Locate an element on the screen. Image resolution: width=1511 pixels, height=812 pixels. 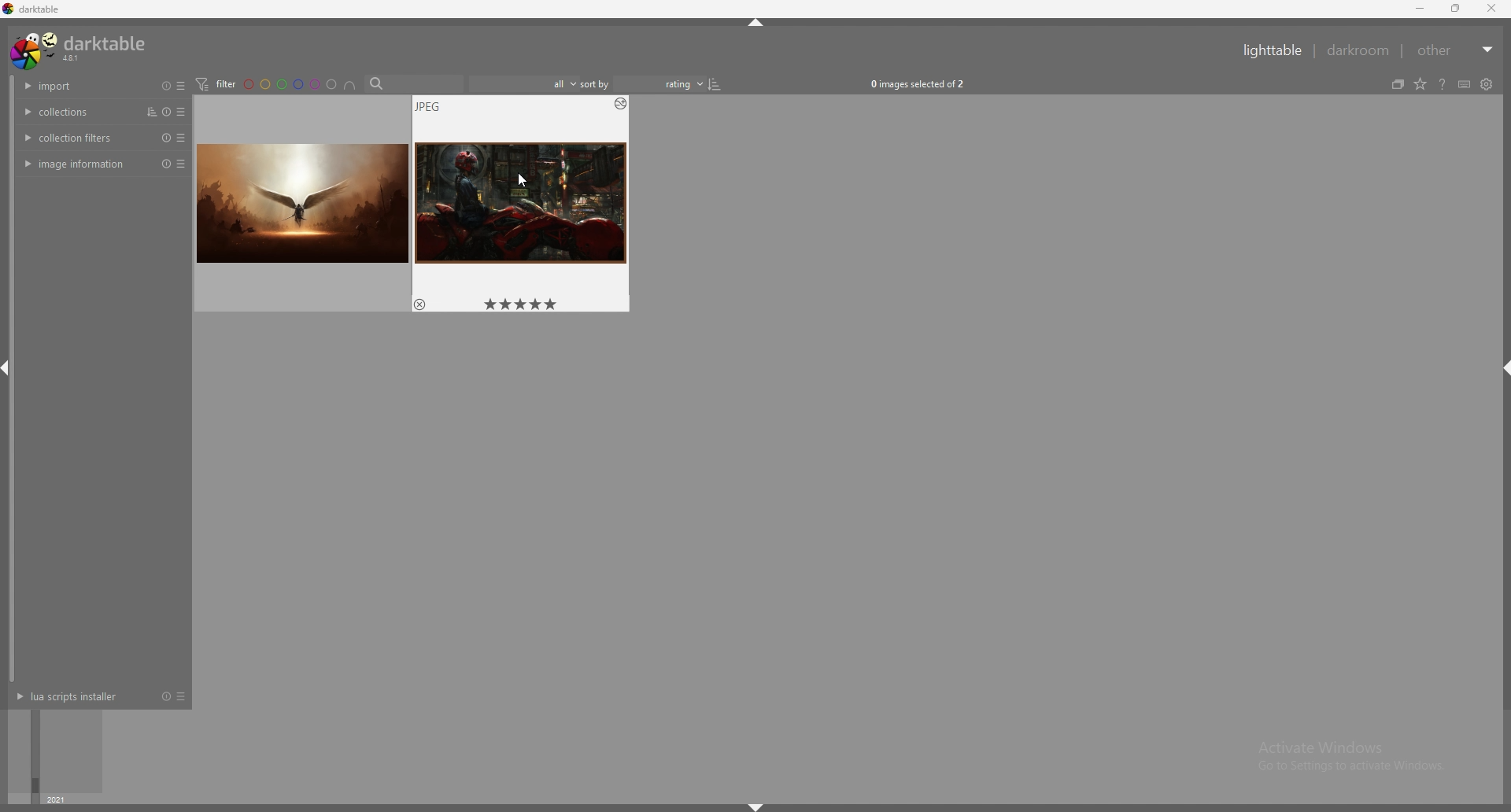
image type is located at coordinates (427, 106).